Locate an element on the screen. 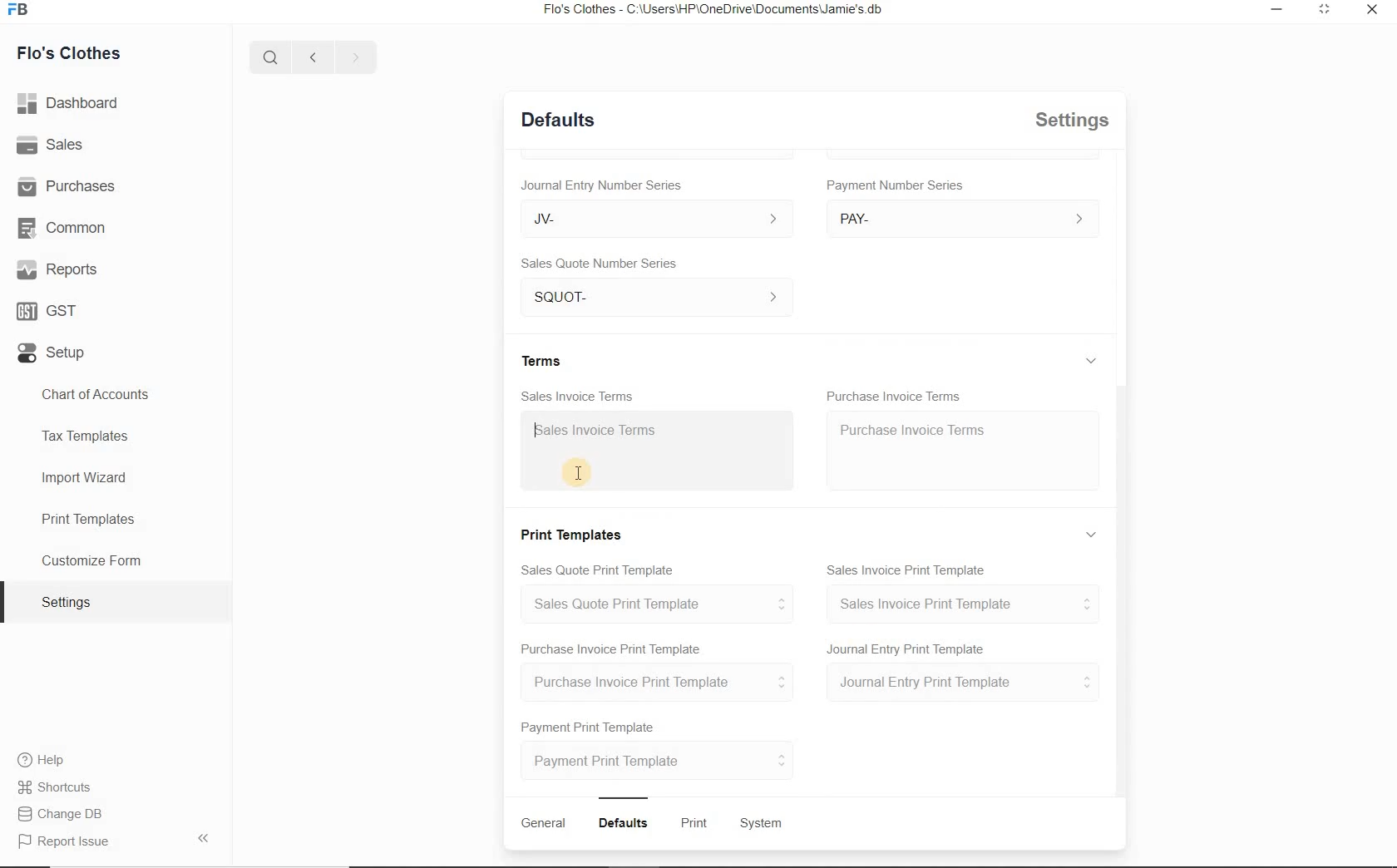  Help is located at coordinates (41, 759).